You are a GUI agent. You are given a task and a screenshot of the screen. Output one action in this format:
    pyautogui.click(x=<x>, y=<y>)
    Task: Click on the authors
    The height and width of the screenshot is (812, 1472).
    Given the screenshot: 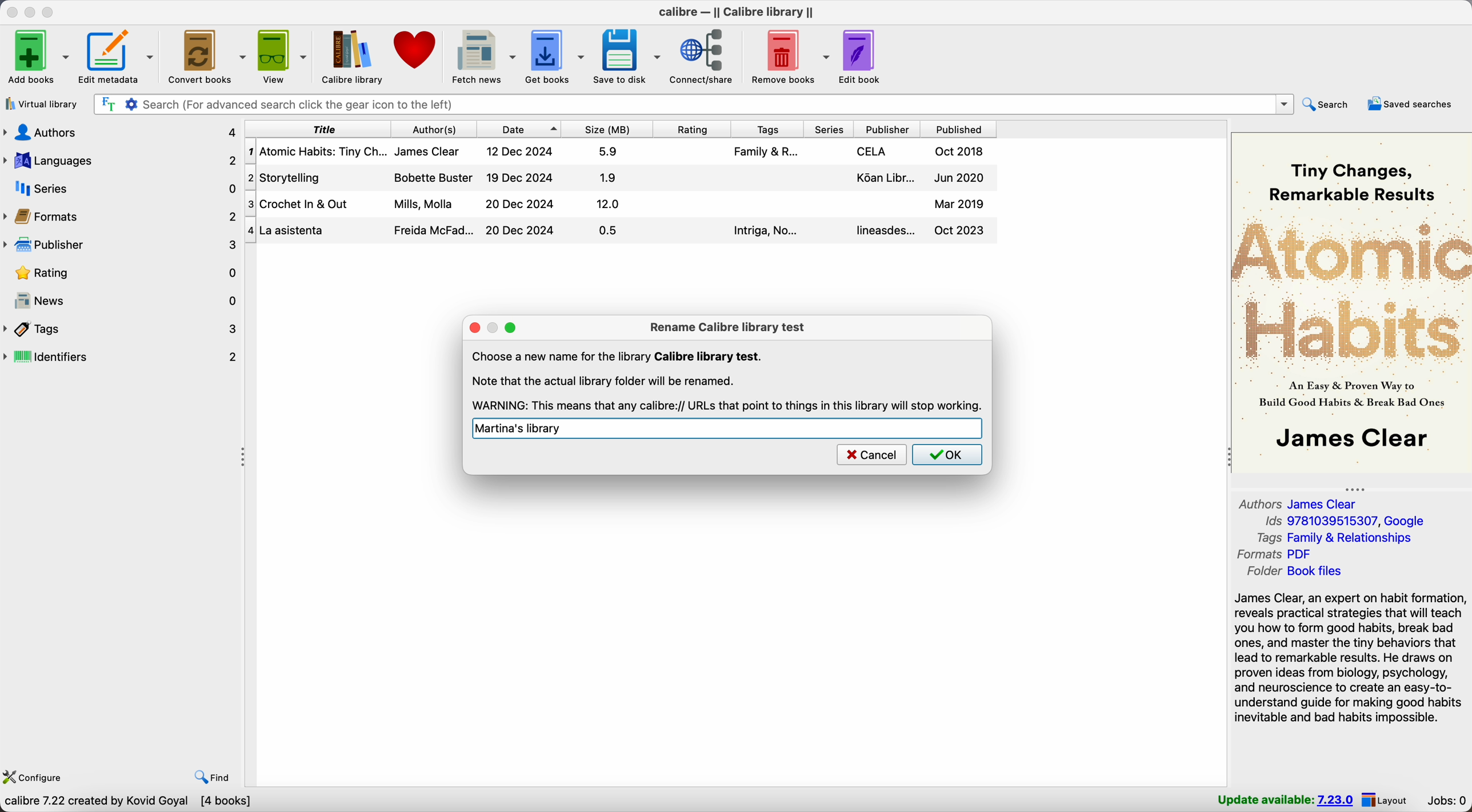 What is the action you would take?
    pyautogui.click(x=121, y=131)
    